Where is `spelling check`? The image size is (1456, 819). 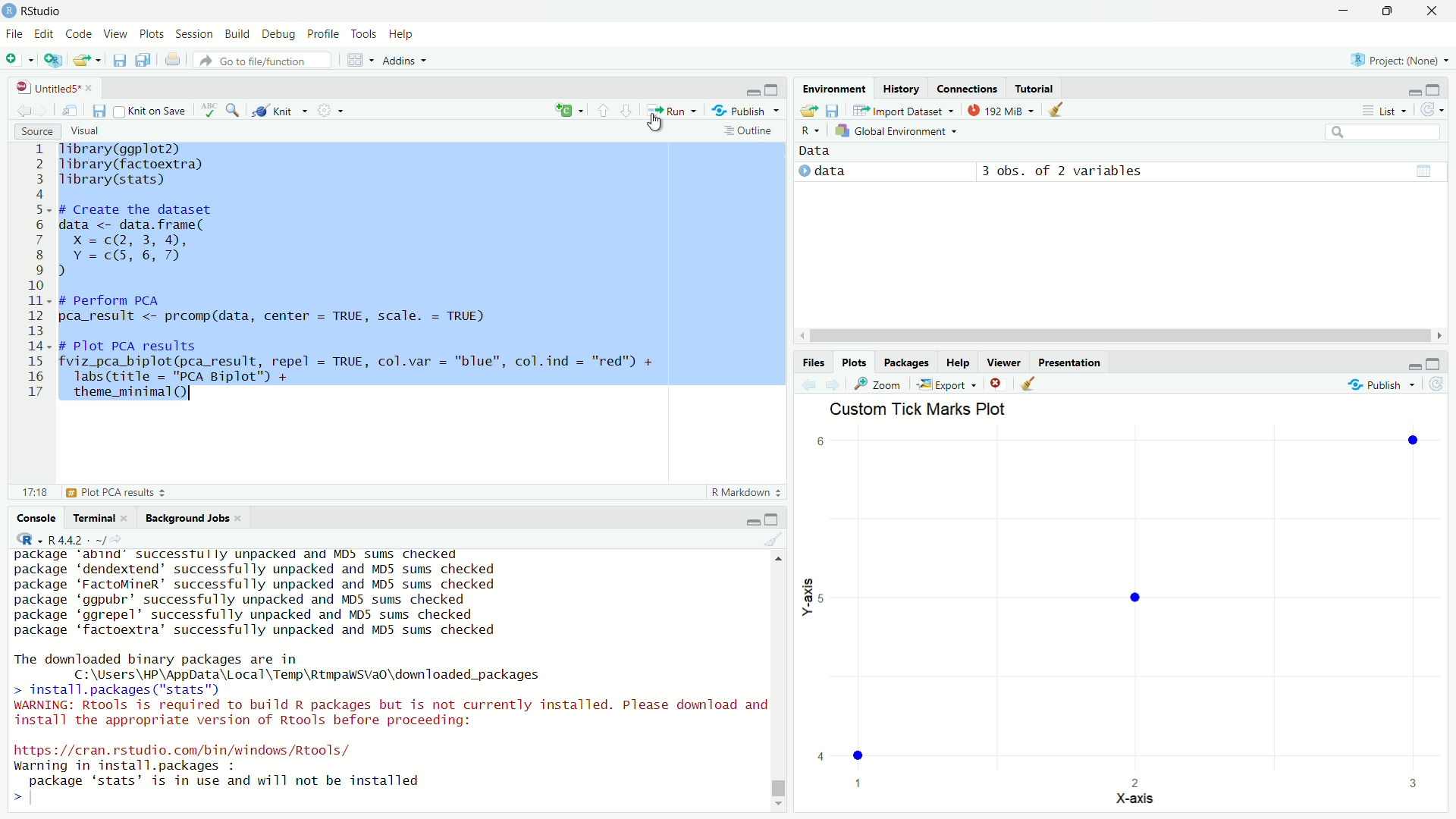 spelling check is located at coordinates (211, 110).